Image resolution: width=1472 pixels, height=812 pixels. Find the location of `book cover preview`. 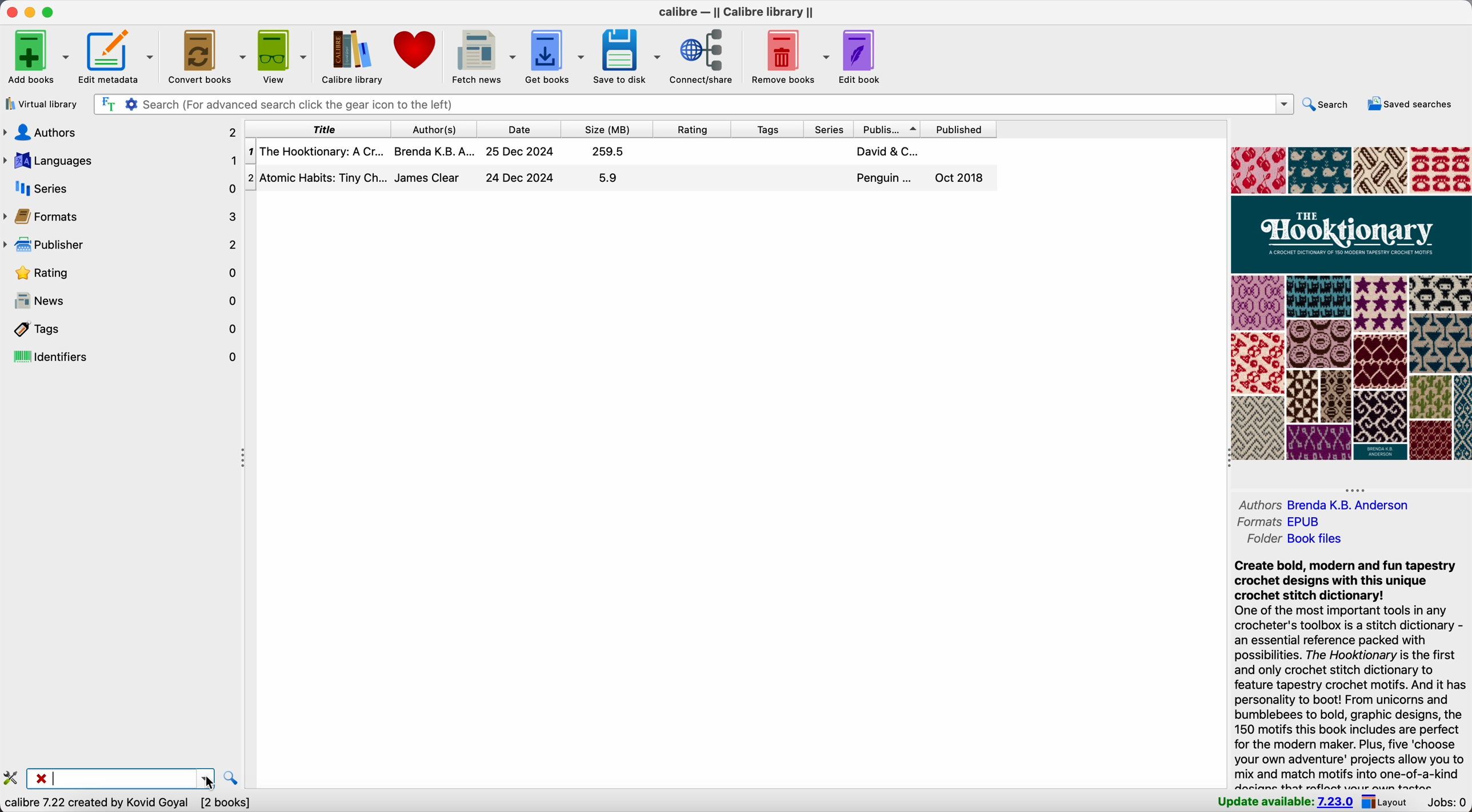

book cover preview is located at coordinates (1350, 301).